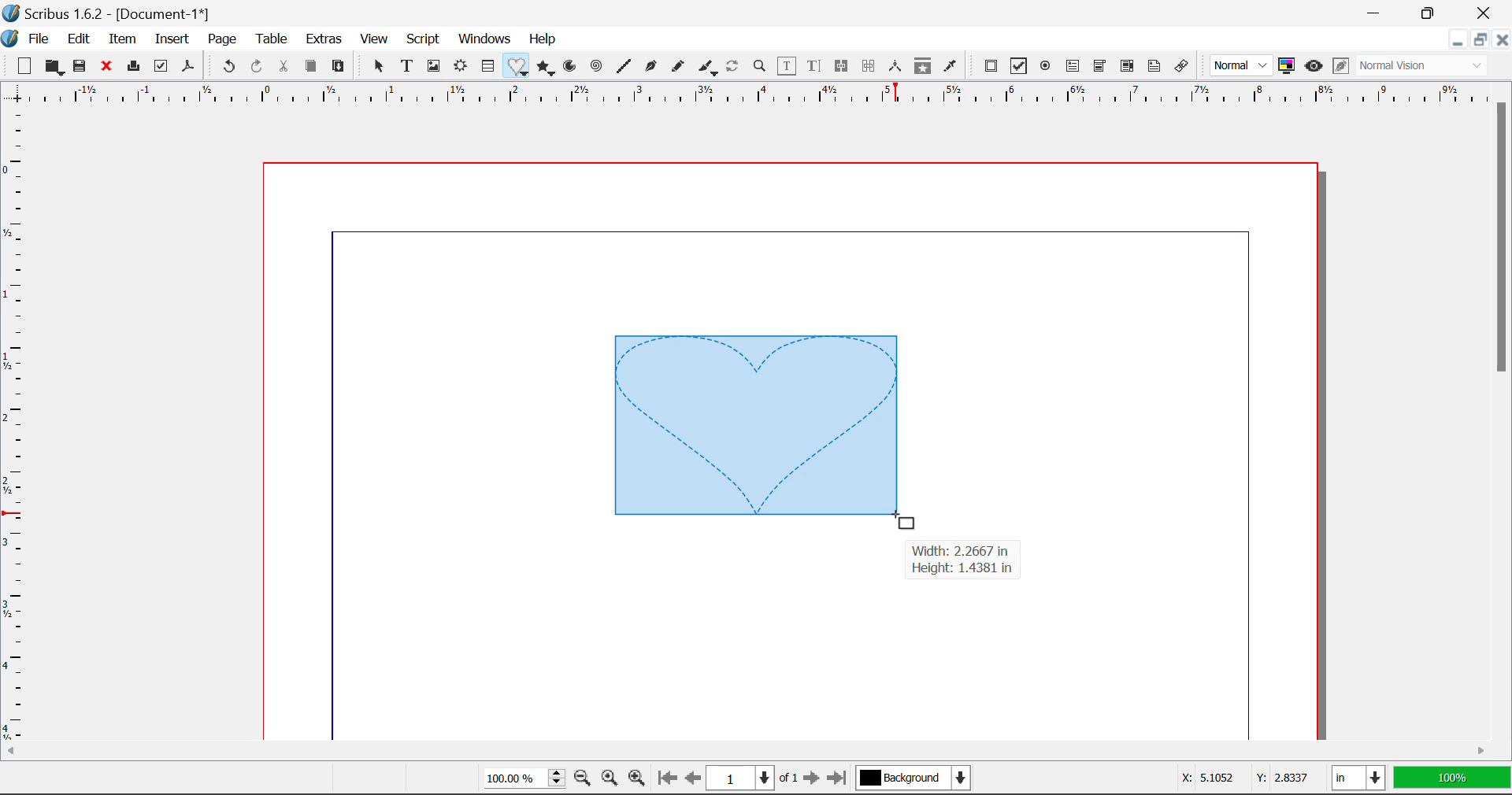 The image size is (1512, 795). Describe the element at coordinates (518, 68) in the screenshot. I see `Insert Special Shapes` at that location.